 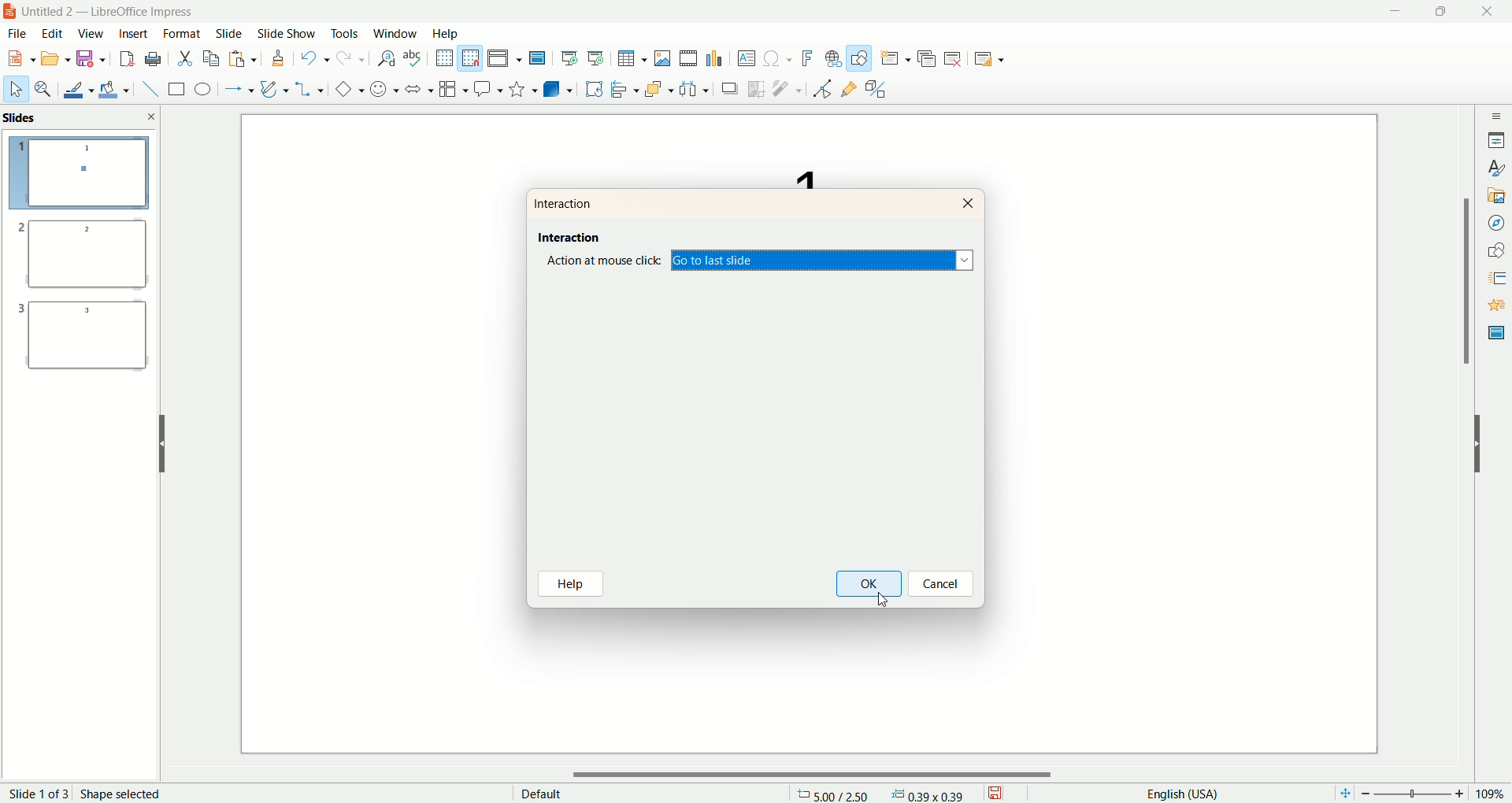 I want to click on master slide, so click(x=1494, y=333).